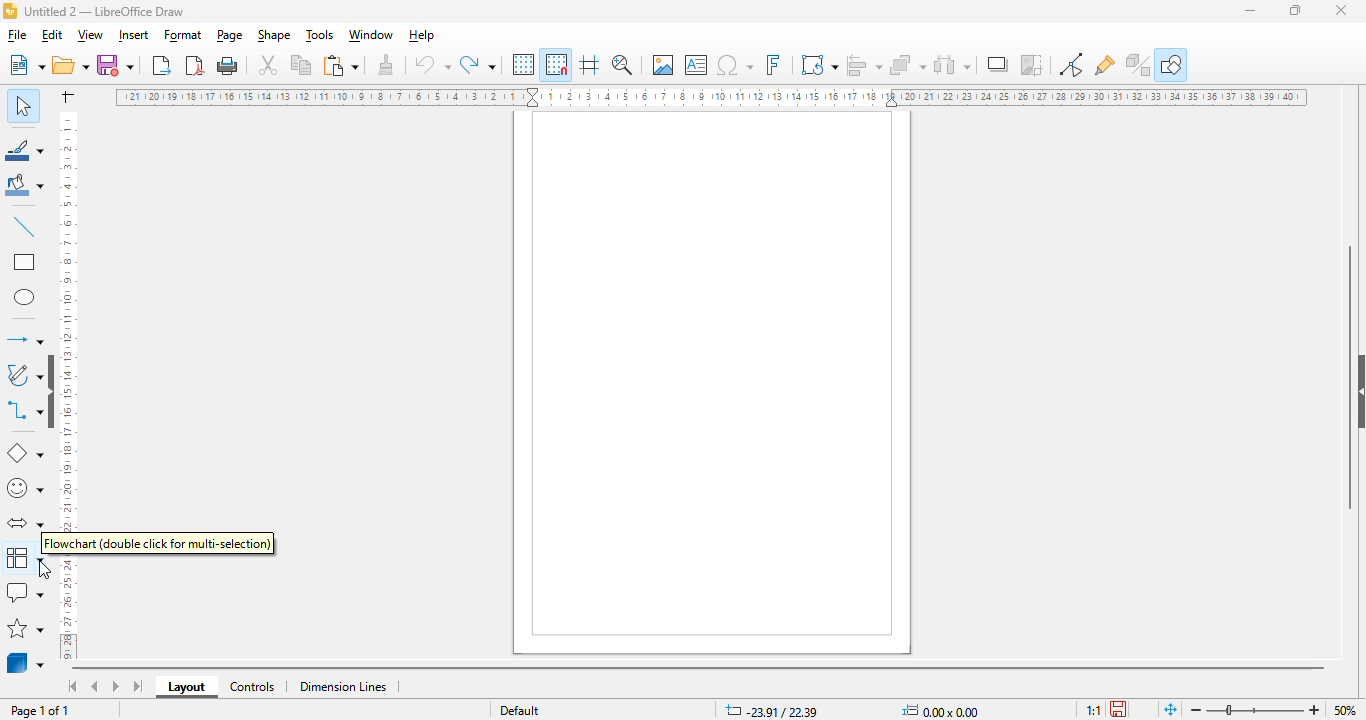 The image size is (1366, 720). I want to click on ruler, so click(68, 386).